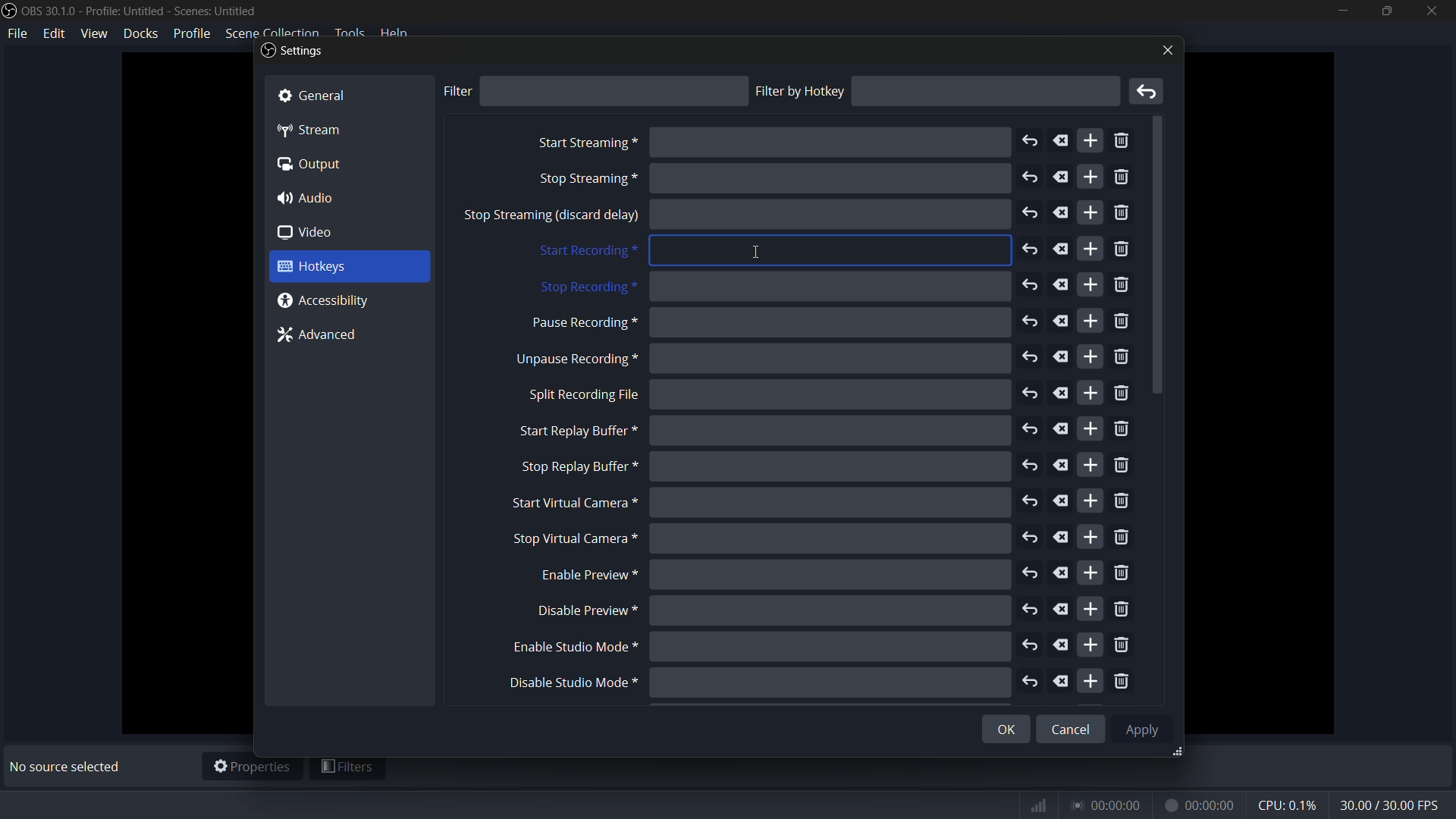  I want to click on undo, so click(1031, 501).